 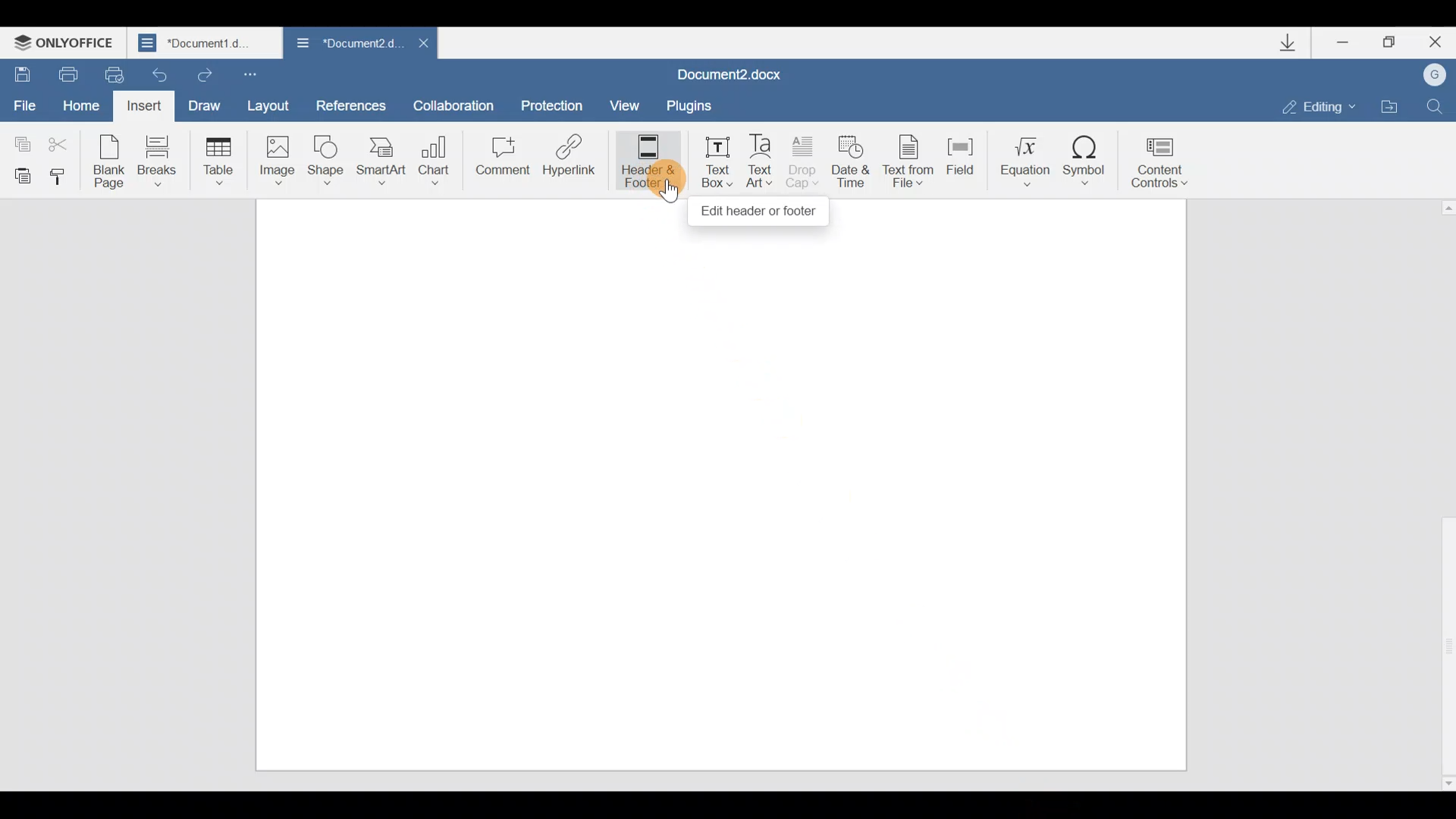 What do you see at coordinates (742, 71) in the screenshot?
I see `Document2.docx` at bounding box center [742, 71].